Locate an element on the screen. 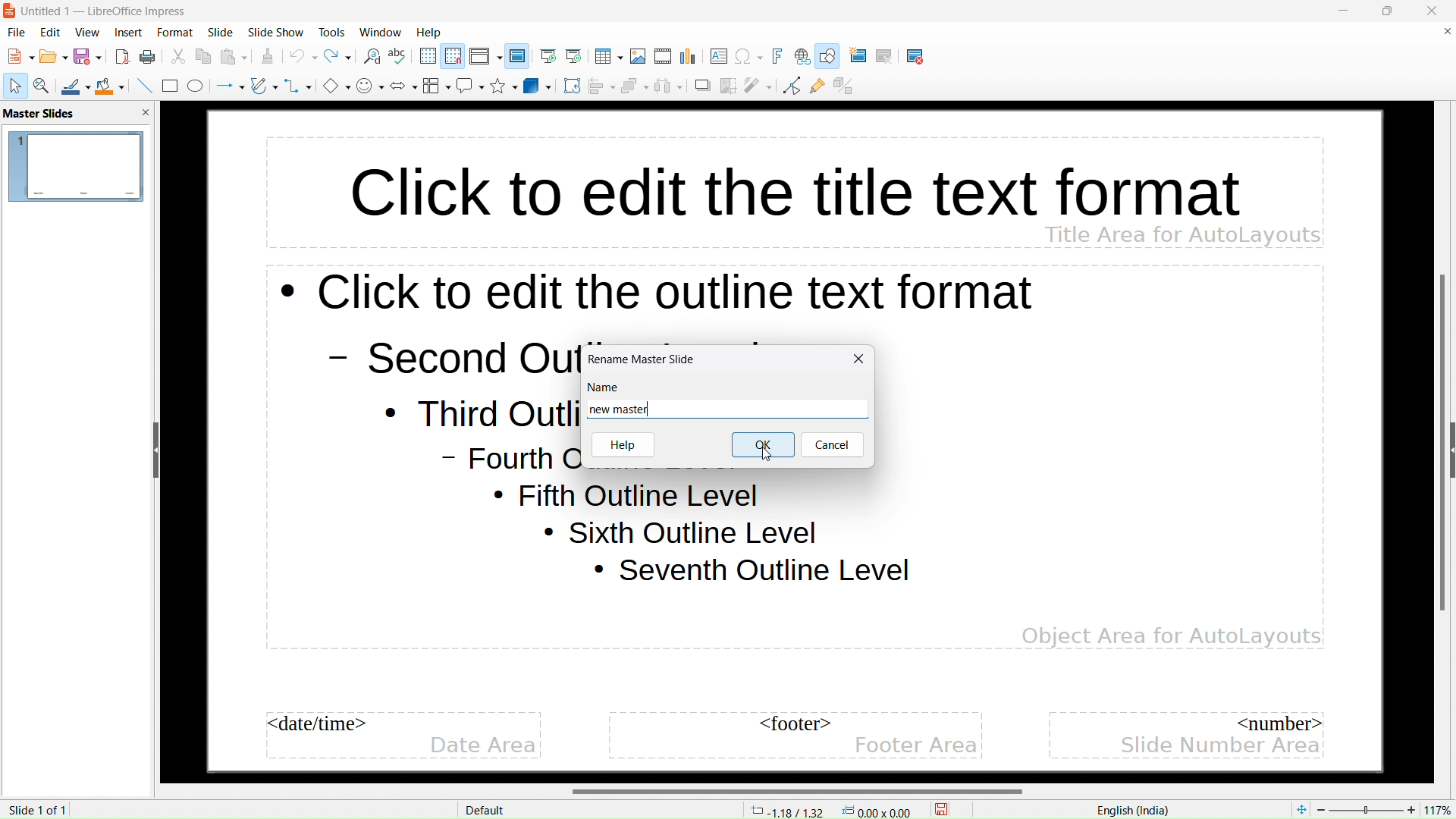 The height and width of the screenshot is (819, 1456). cut is located at coordinates (178, 57).